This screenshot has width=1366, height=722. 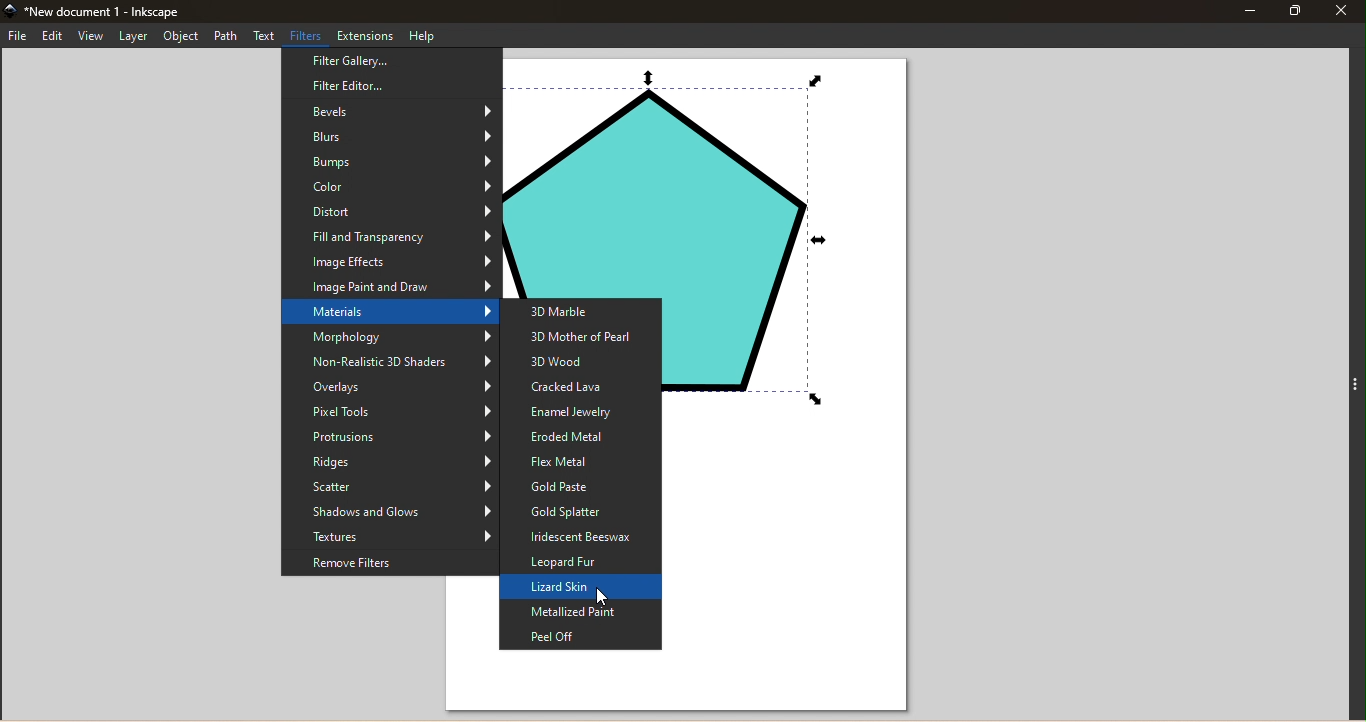 I want to click on Path, so click(x=227, y=36).